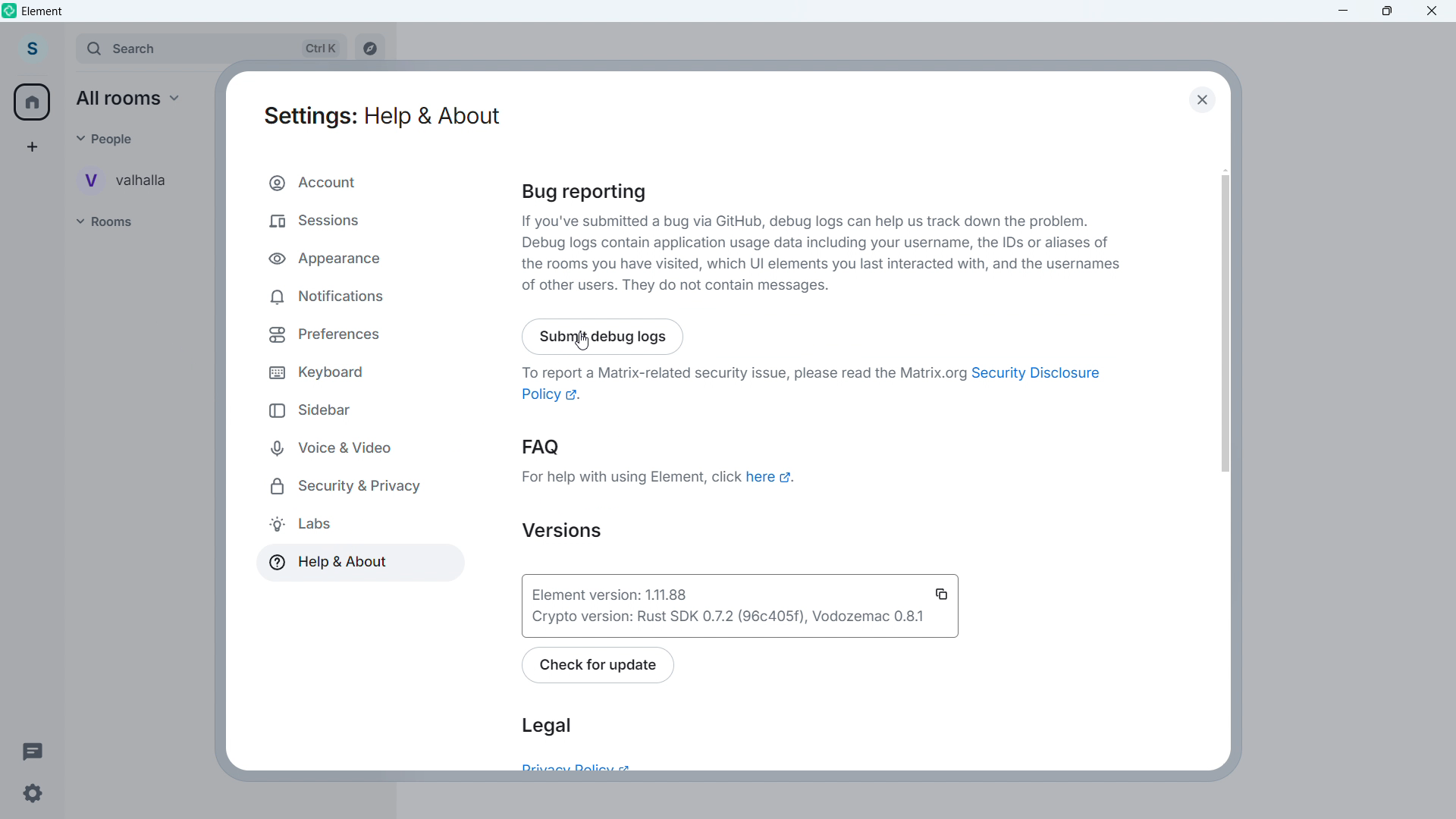 The height and width of the screenshot is (819, 1456). What do you see at coordinates (350, 219) in the screenshot?
I see `Sessions ` at bounding box center [350, 219].